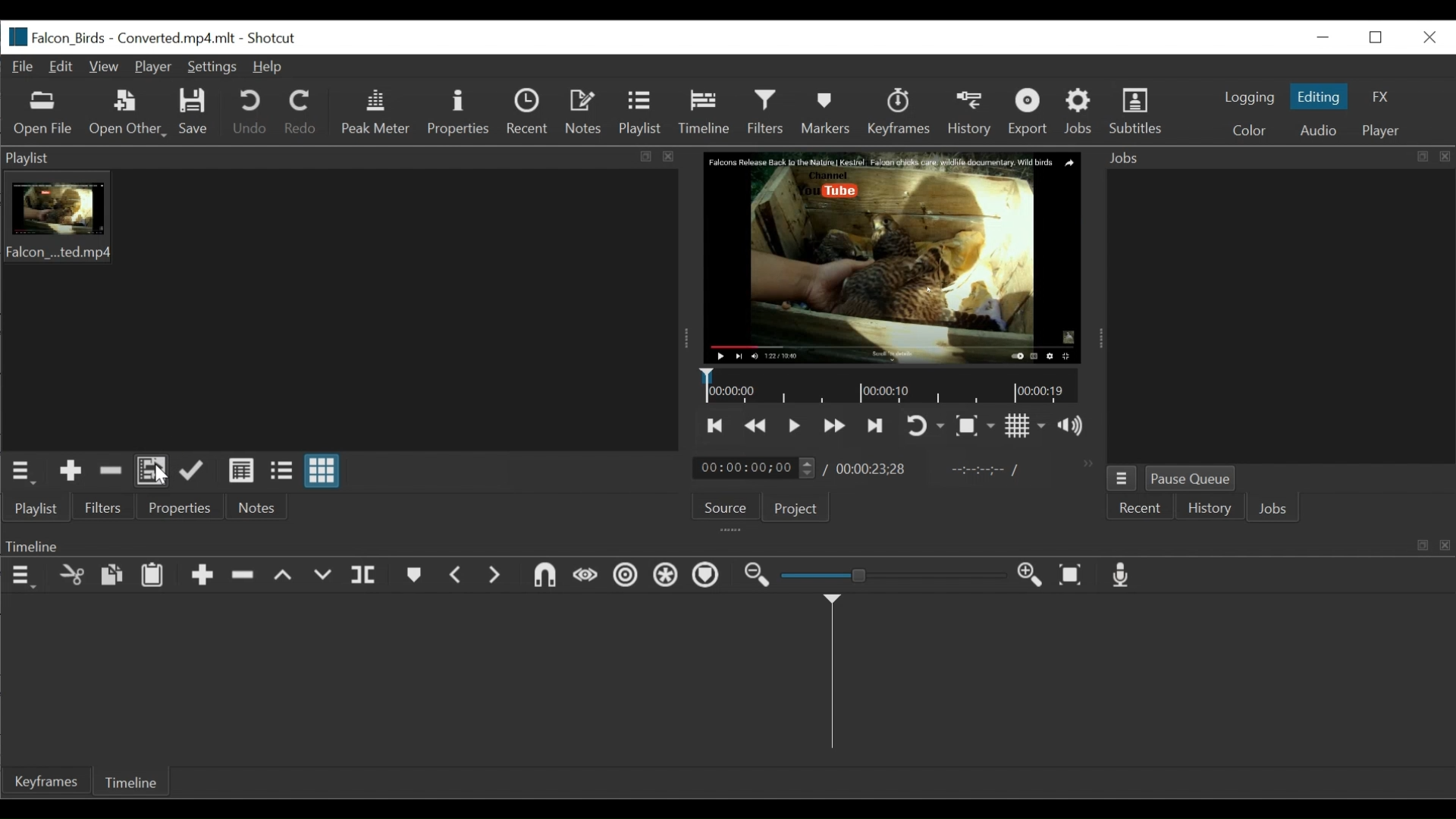 This screenshot has height=819, width=1456. I want to click on Scrub while dragging, so click(585, 576).